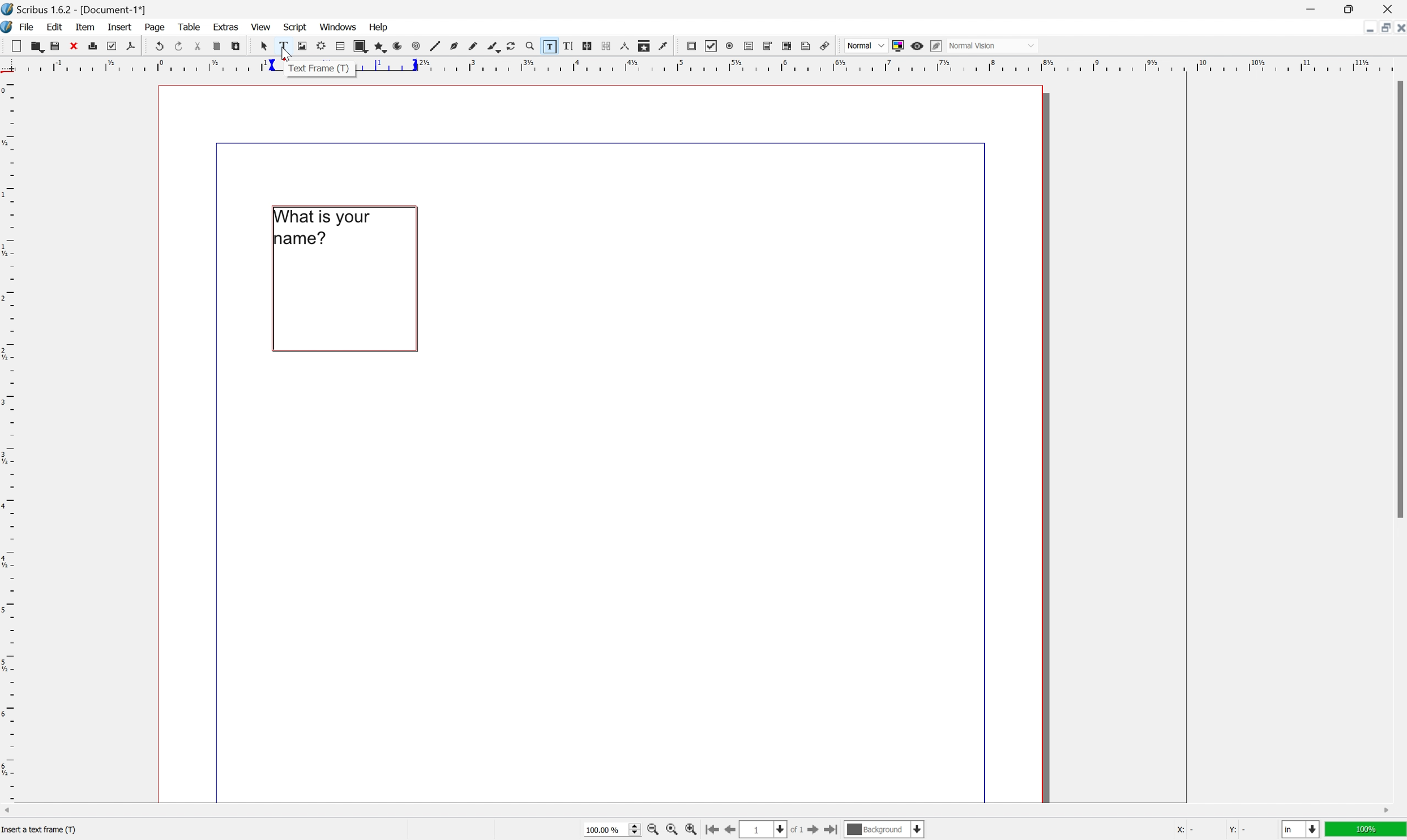  What do you see at coordinates (1380, 28) in the screenshot?
I see `restore down` at bounding box center [1380, 28].